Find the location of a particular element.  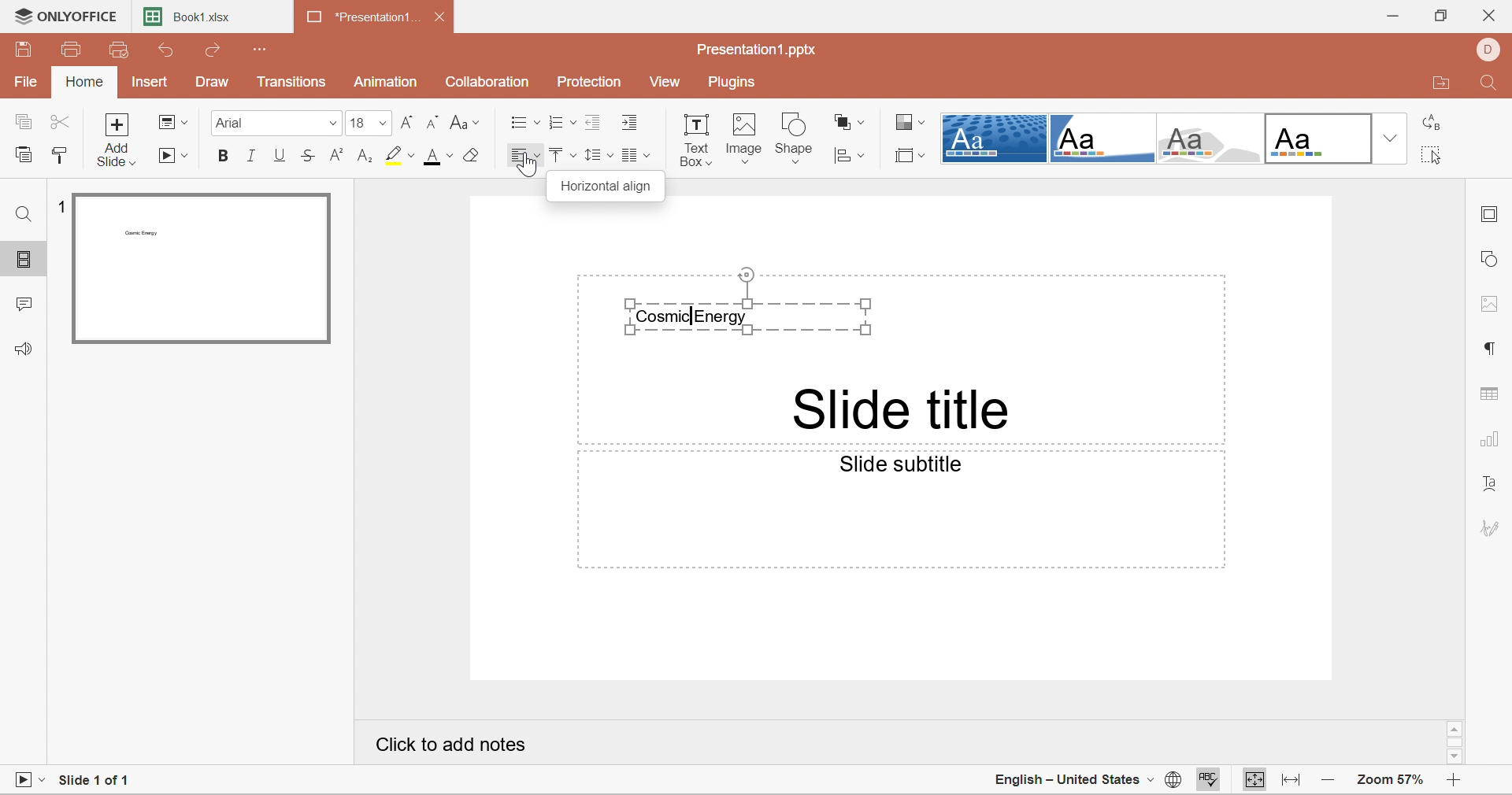

Zoom out is located at coordinates (1326, 780).